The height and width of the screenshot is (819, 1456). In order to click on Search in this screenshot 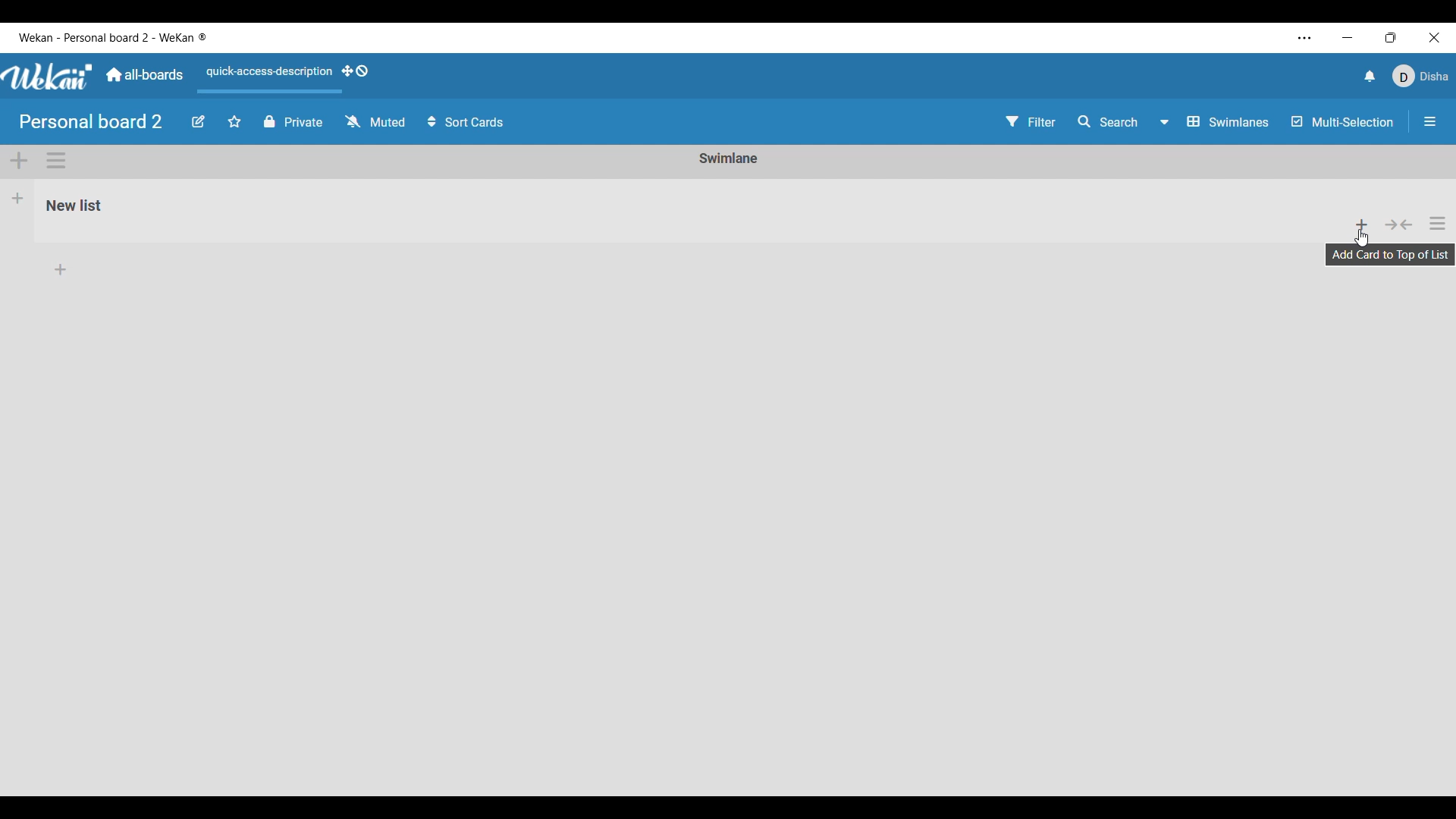, I will do `click(1109, 121)`.